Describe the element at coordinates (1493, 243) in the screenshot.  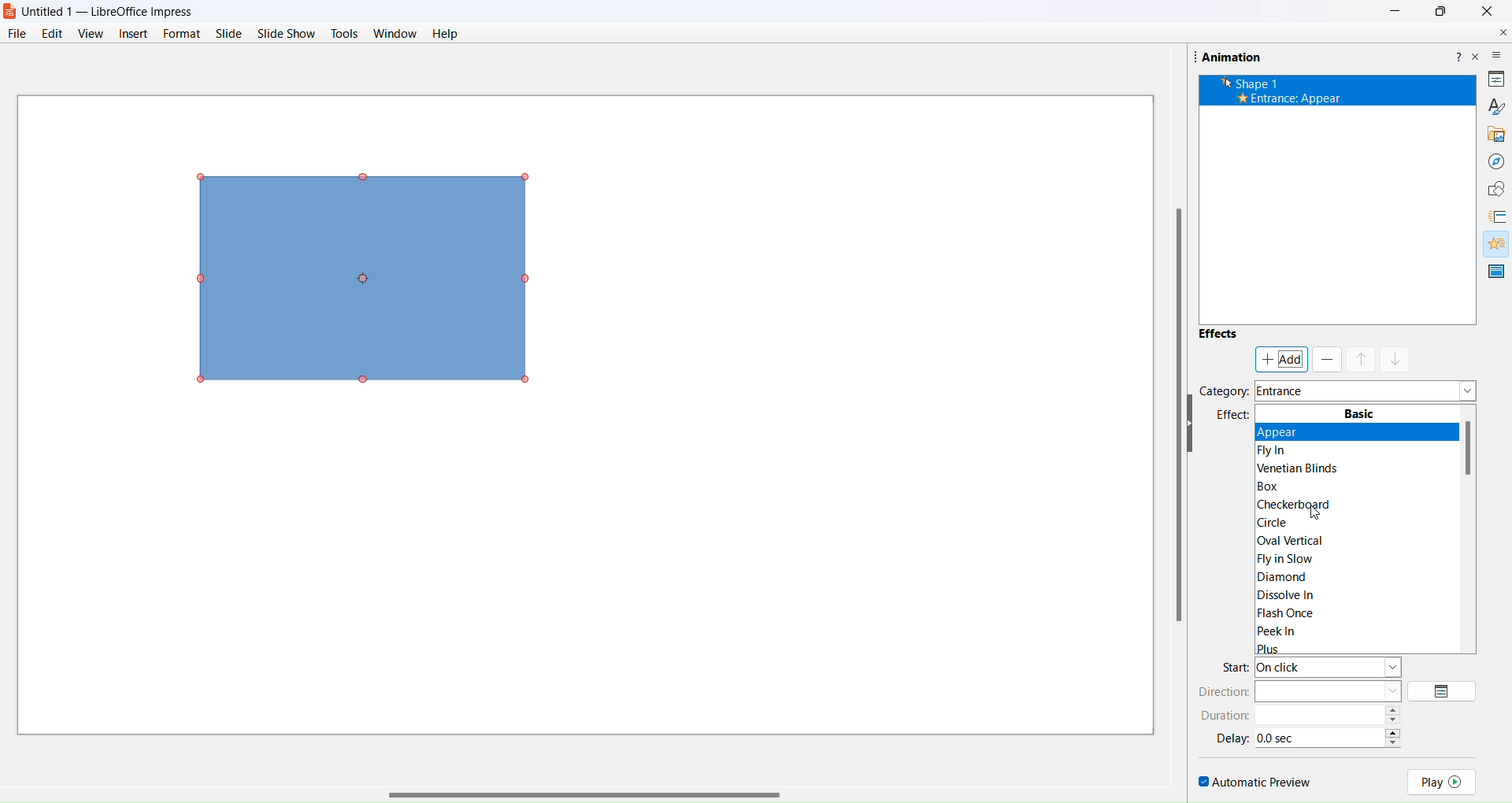
I see `animation` at that location.